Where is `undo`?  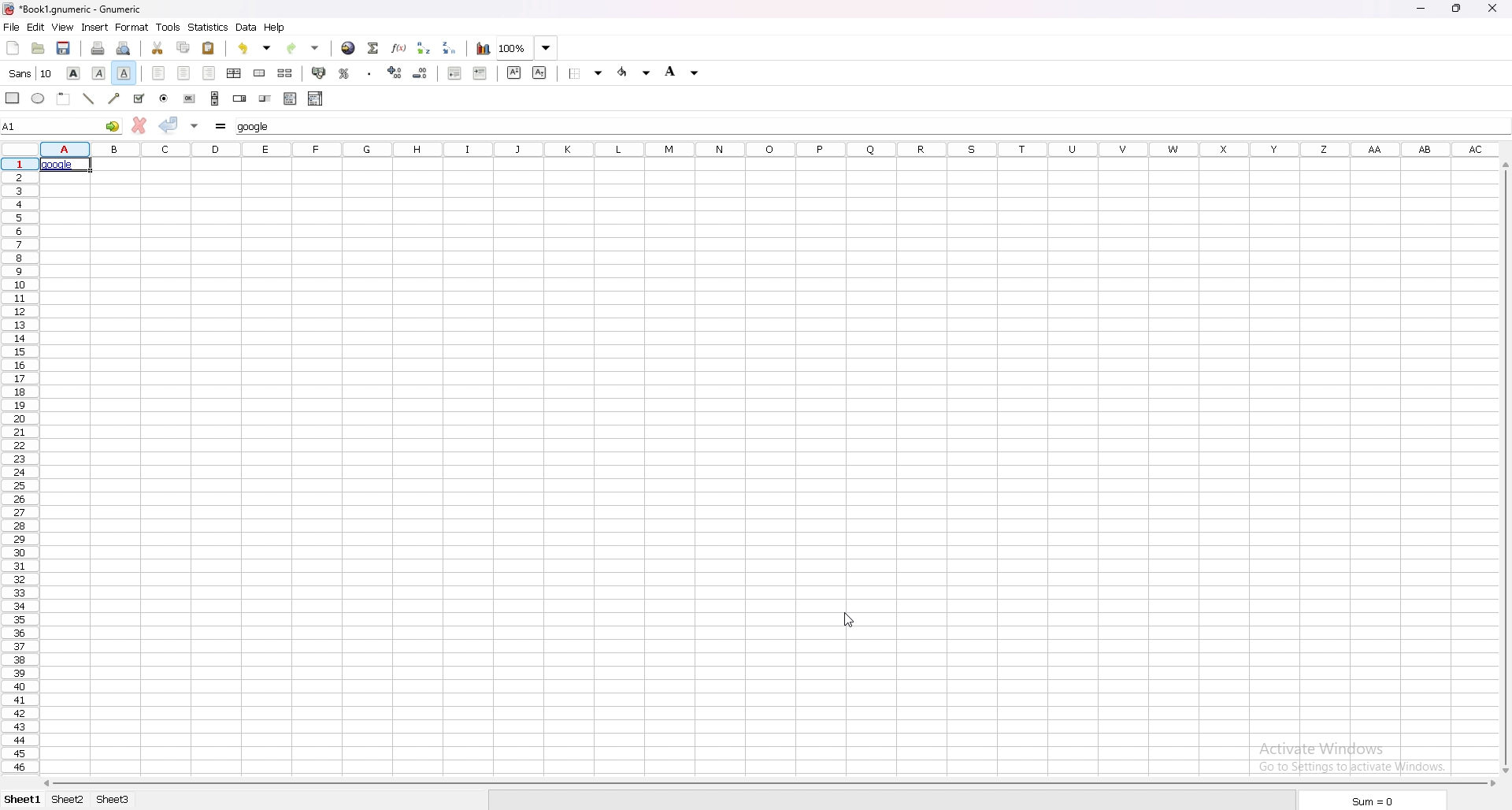 undo is located at coordinates (256, 48).